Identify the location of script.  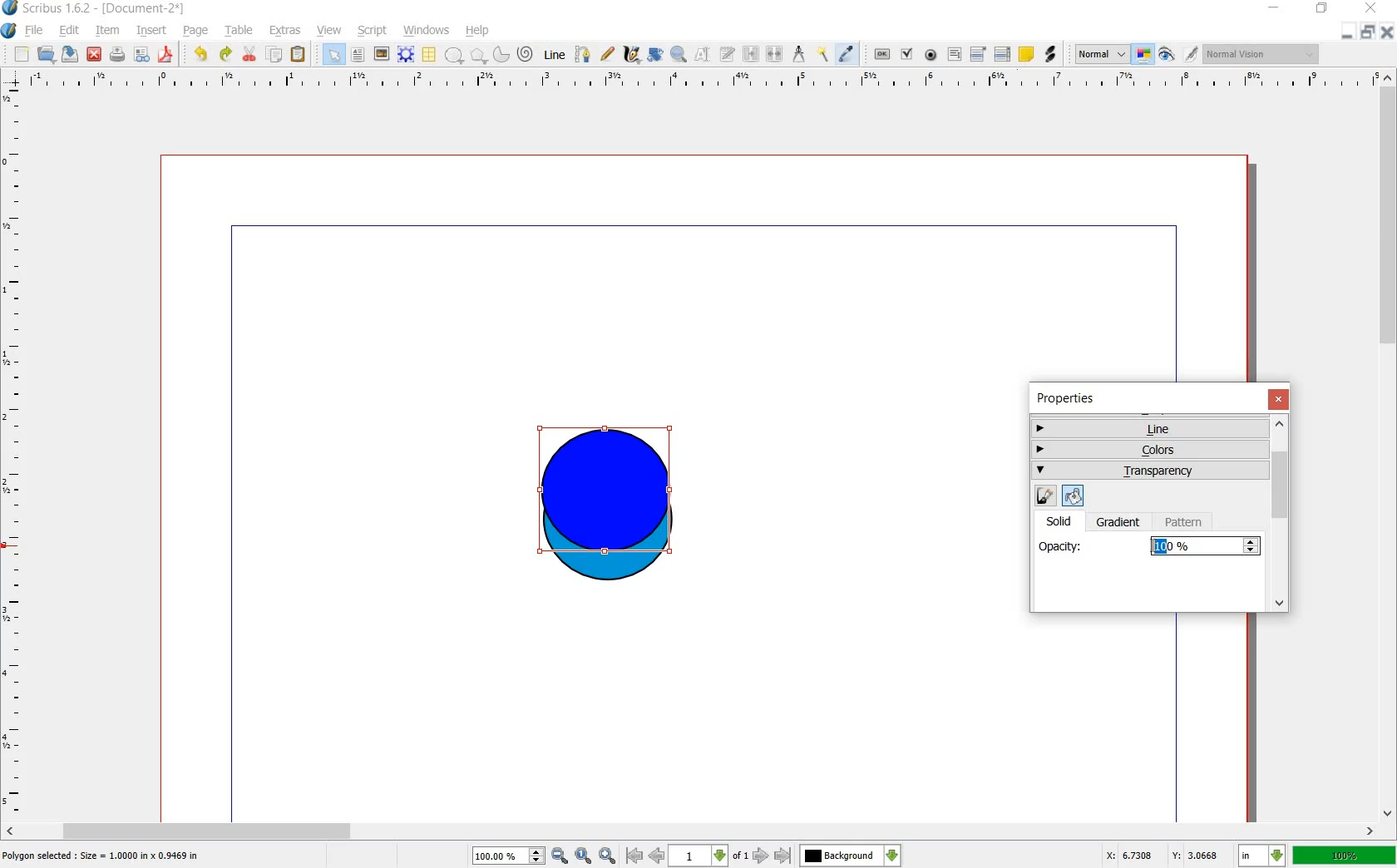
(373, 31).